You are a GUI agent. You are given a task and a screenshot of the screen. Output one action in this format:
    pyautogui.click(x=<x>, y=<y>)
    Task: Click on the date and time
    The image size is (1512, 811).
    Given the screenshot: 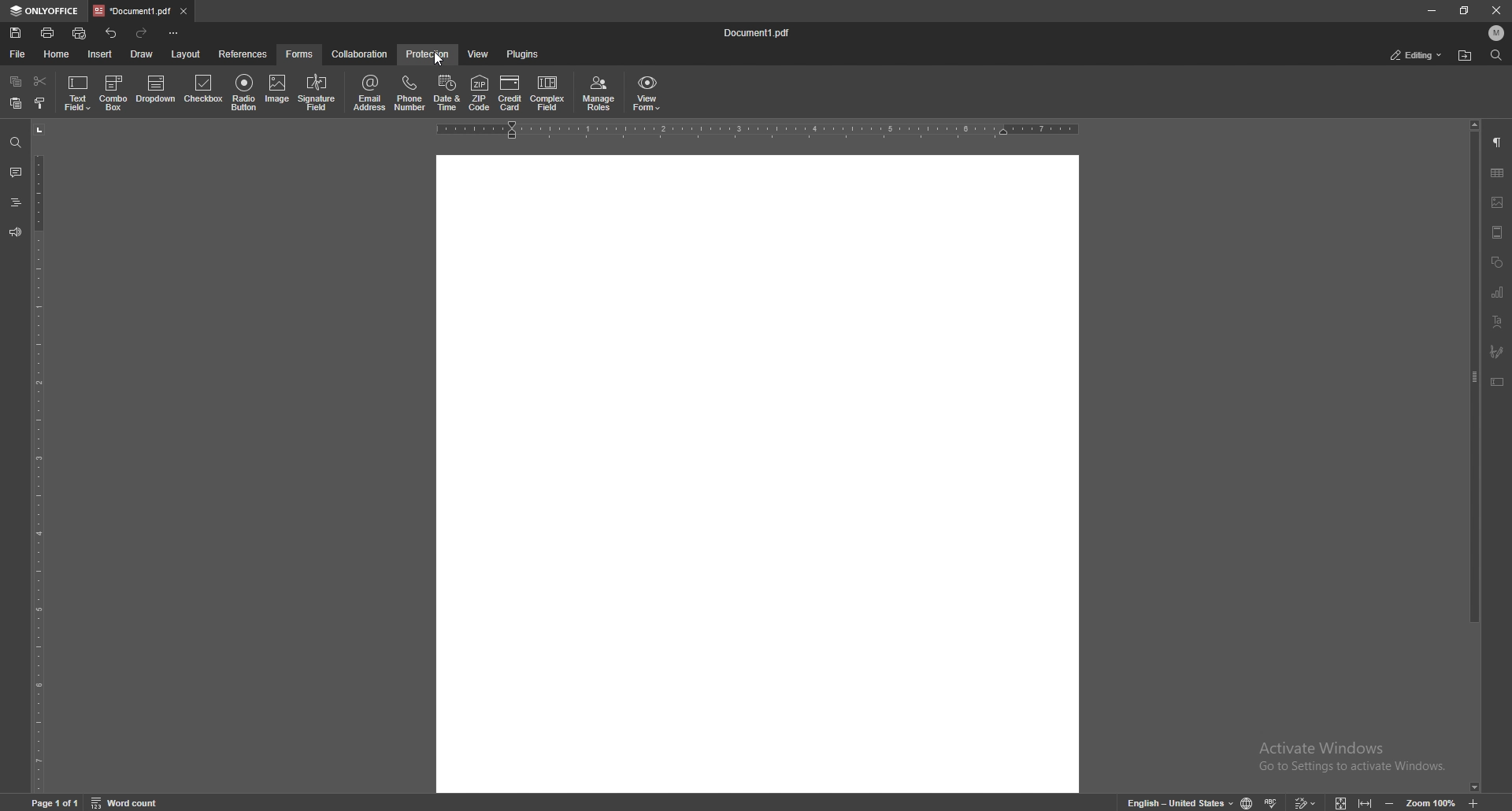 What is the action you would take?
    pyautogui.click(x=448, y=93)
    